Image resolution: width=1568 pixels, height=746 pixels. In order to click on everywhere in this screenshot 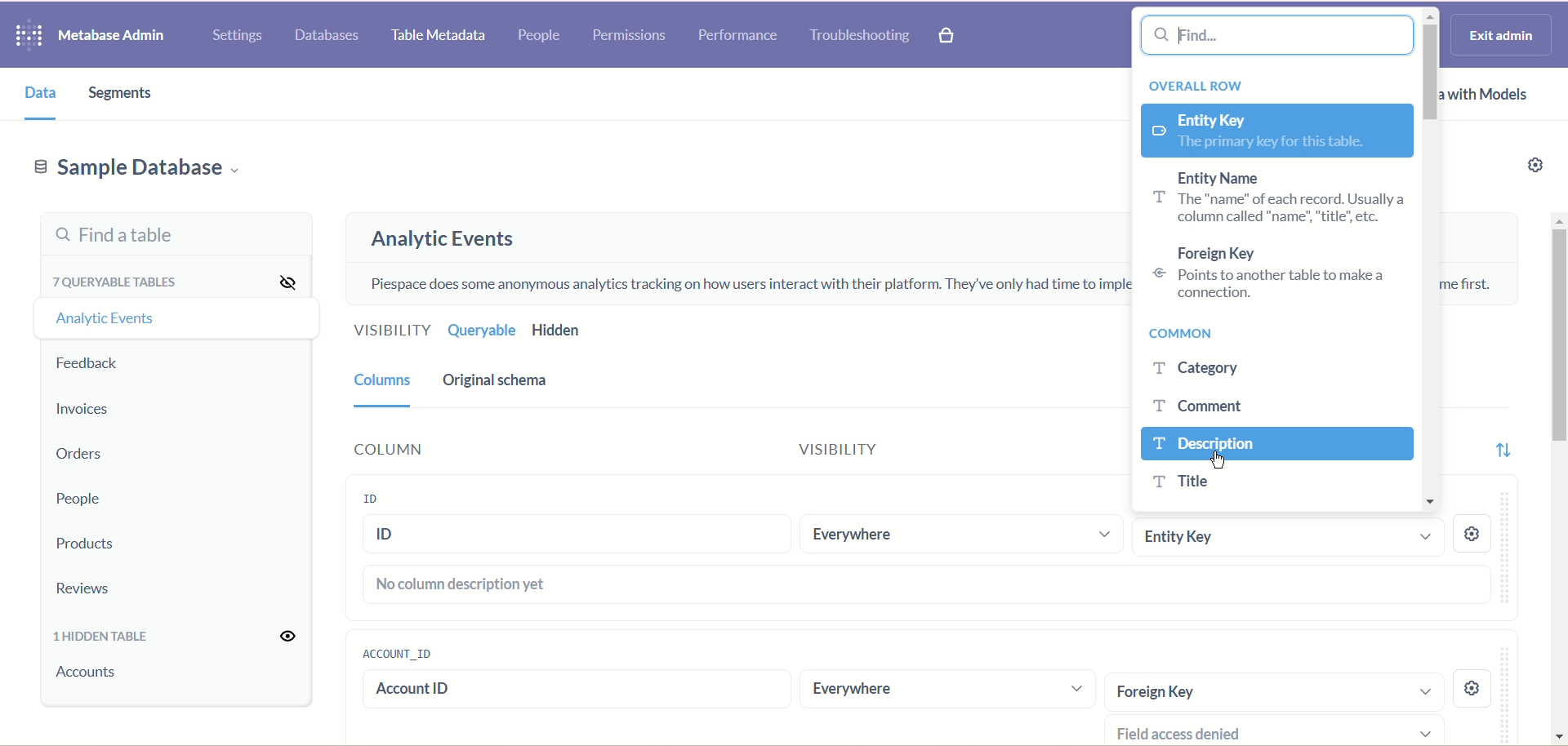, I will do `click(948, 693)`.